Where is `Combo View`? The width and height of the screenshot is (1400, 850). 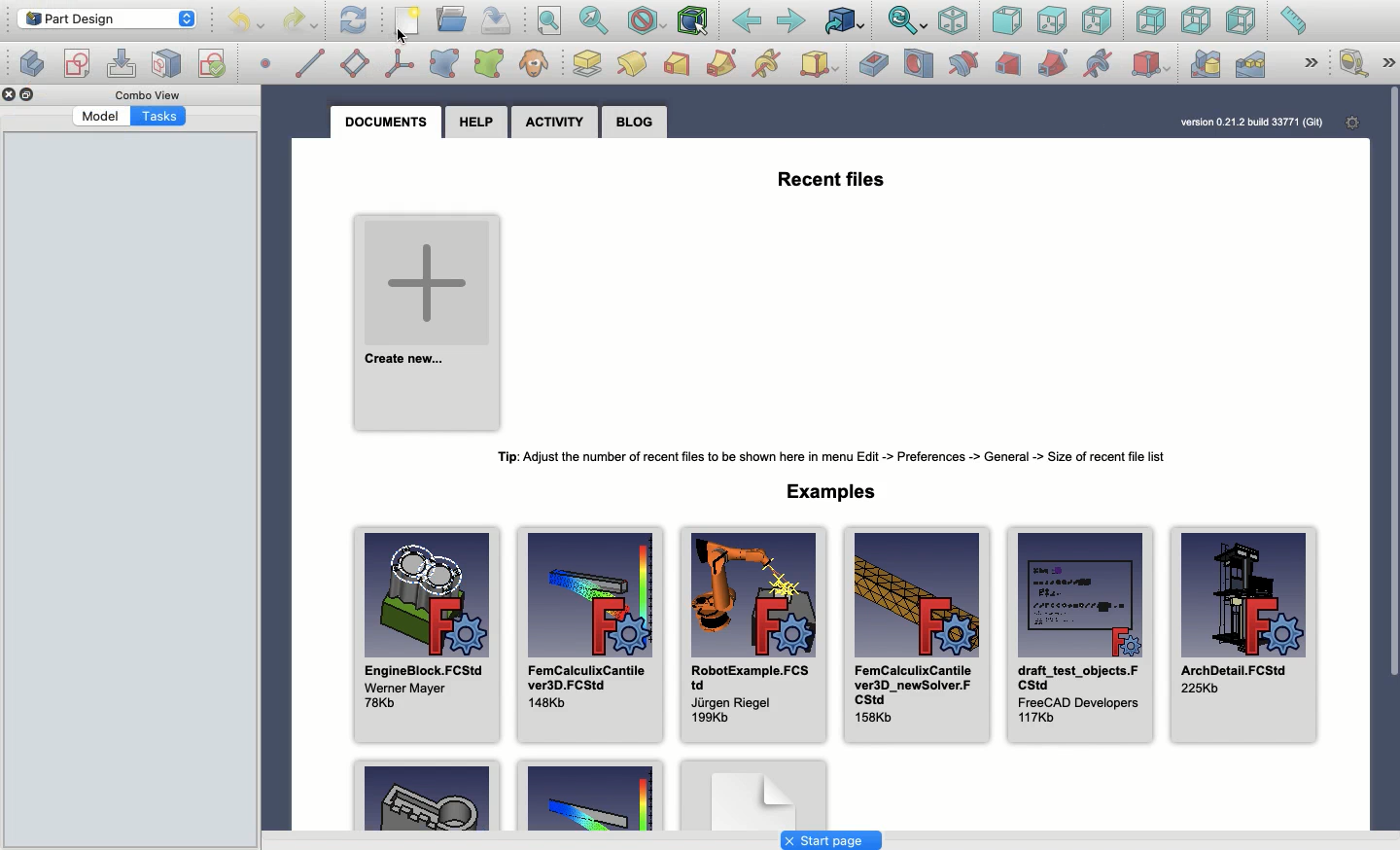
Combo View is located at coordinates (148, 95).